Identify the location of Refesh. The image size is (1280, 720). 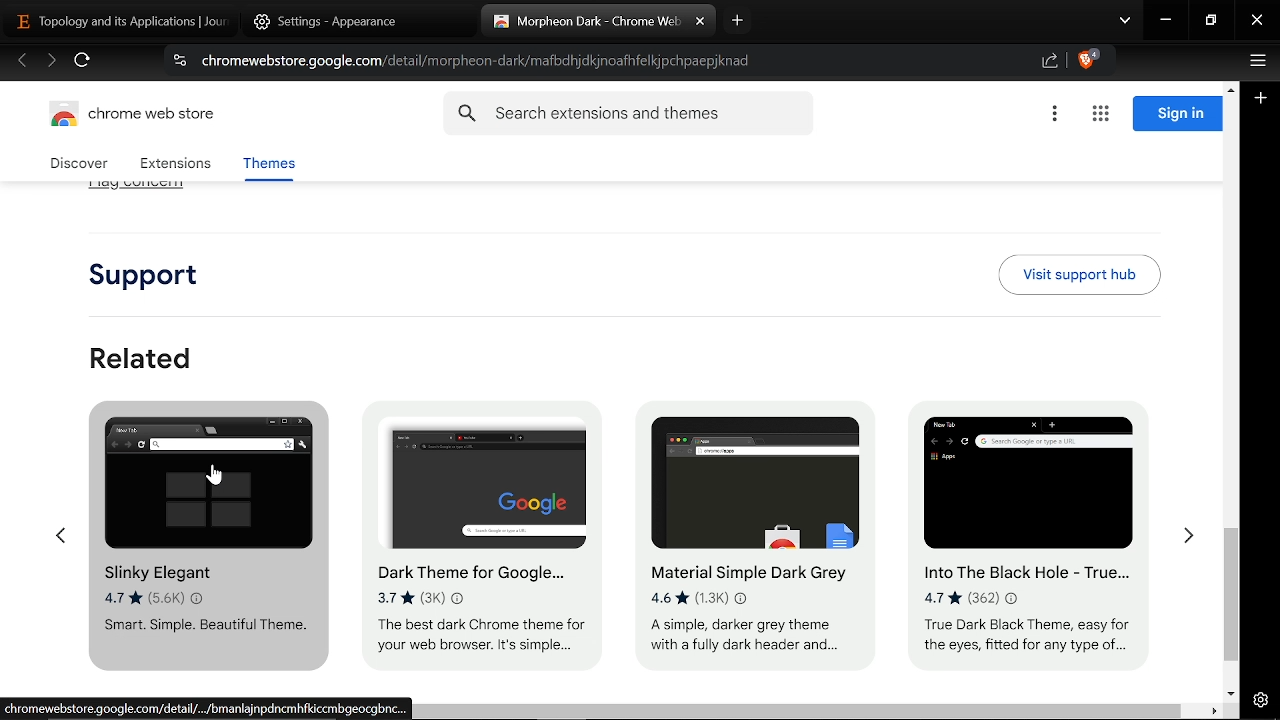
(83, 63).